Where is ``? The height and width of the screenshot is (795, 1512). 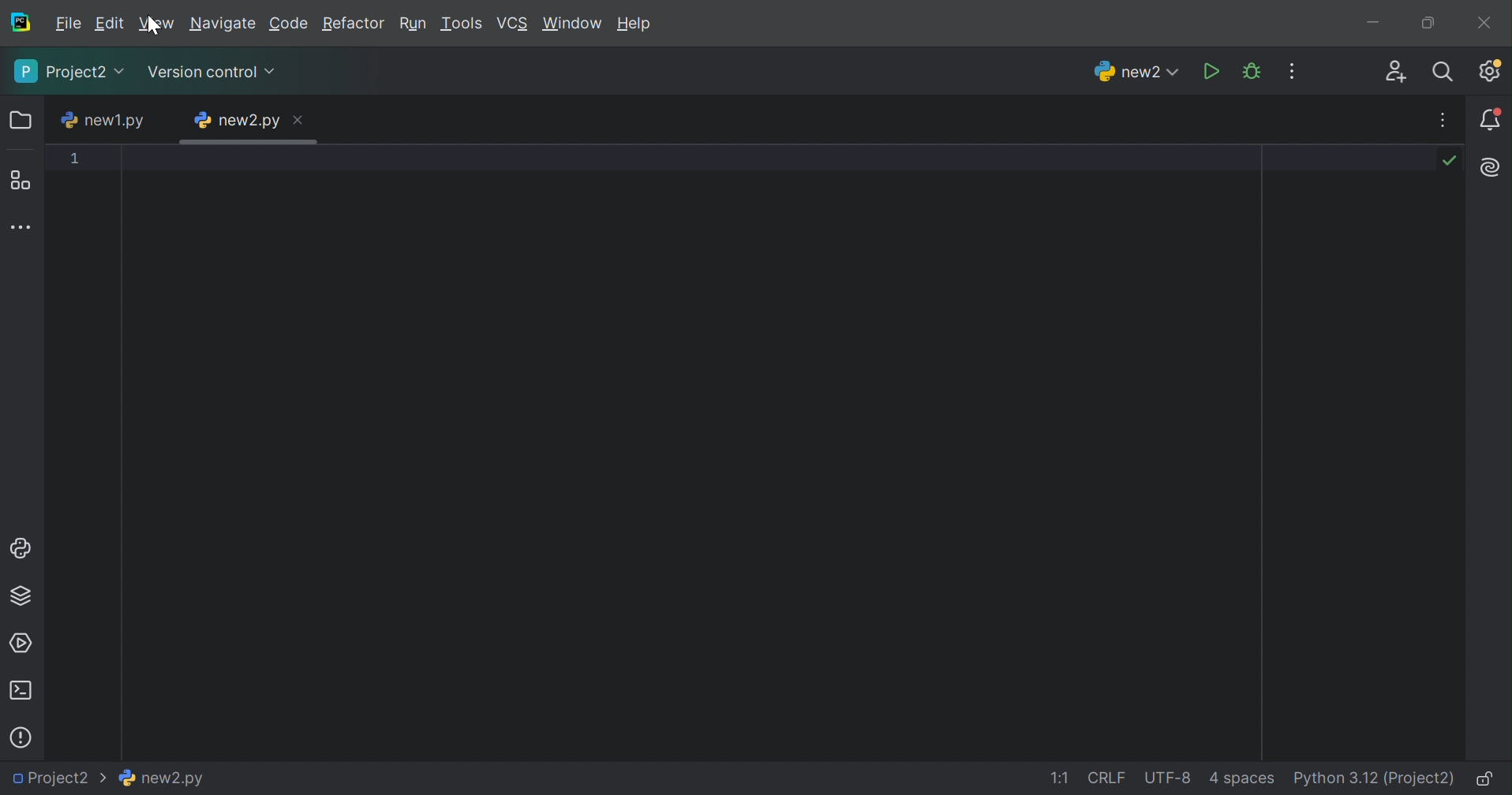  is located at coordinates (22, 179).